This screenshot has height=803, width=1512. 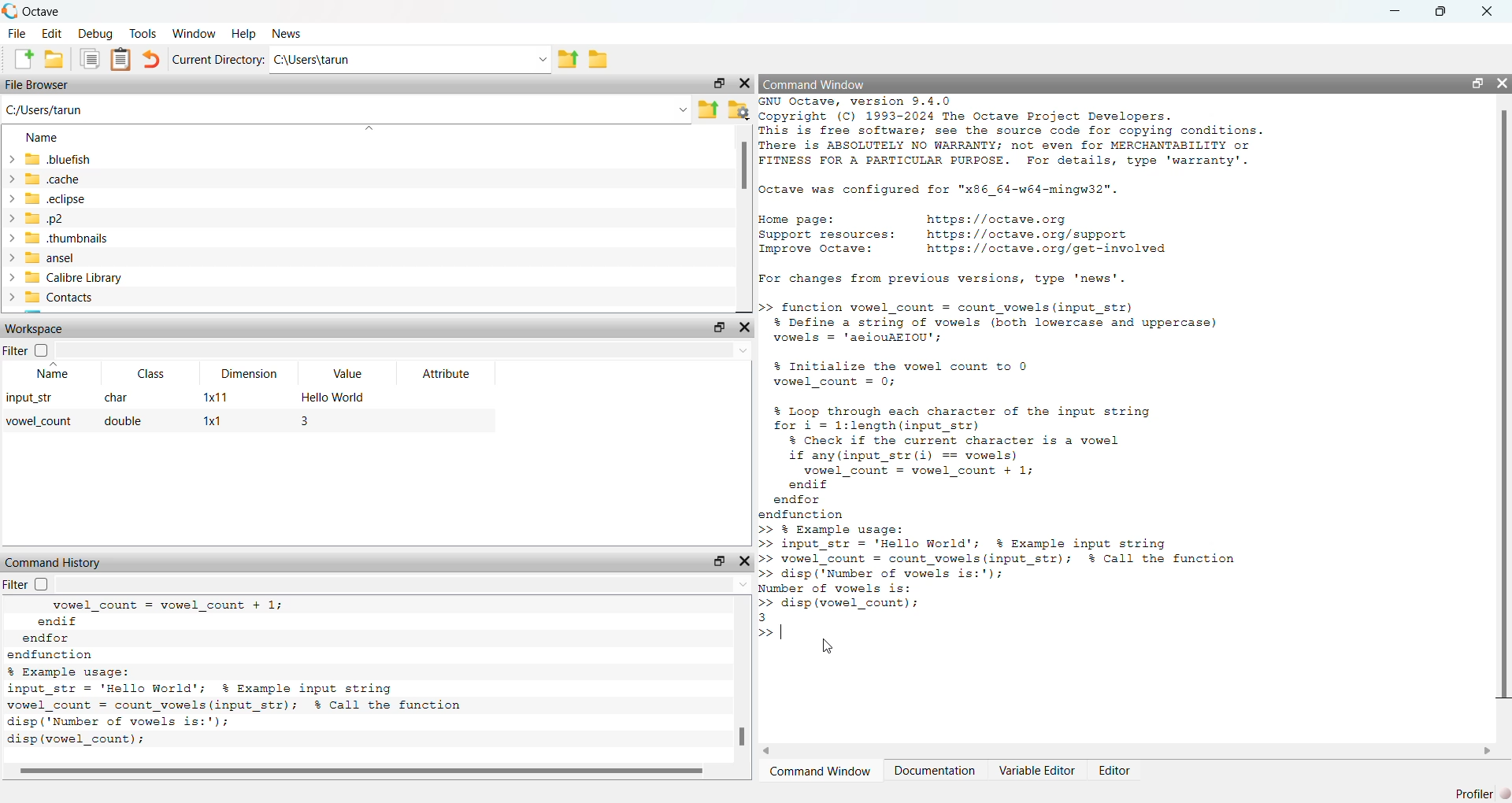 I want to click on input_str, so click(x=31, y=397).